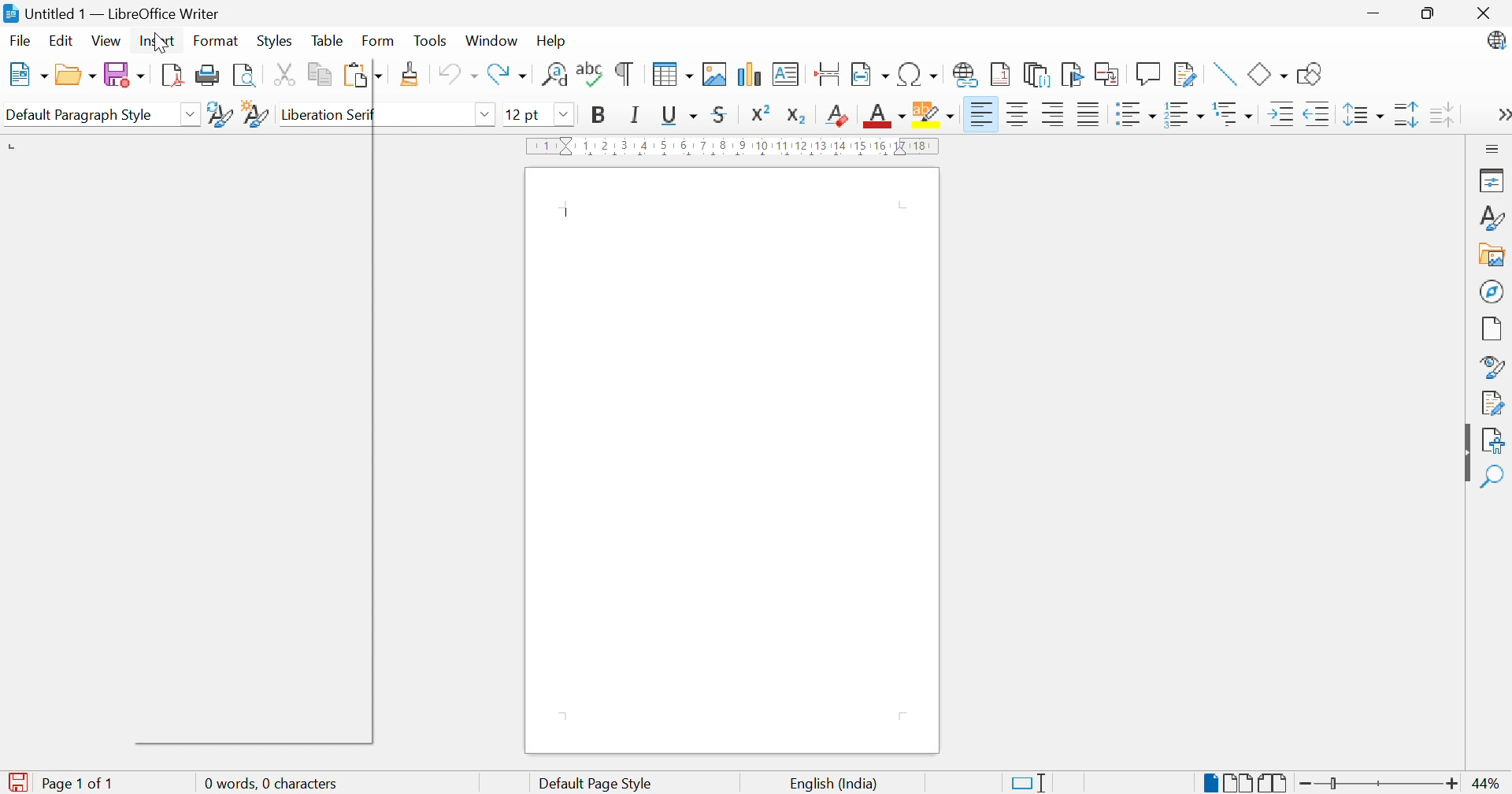  Describe the element at coordinates (508, 76) in the screenshot. I see `Redo` at that location.